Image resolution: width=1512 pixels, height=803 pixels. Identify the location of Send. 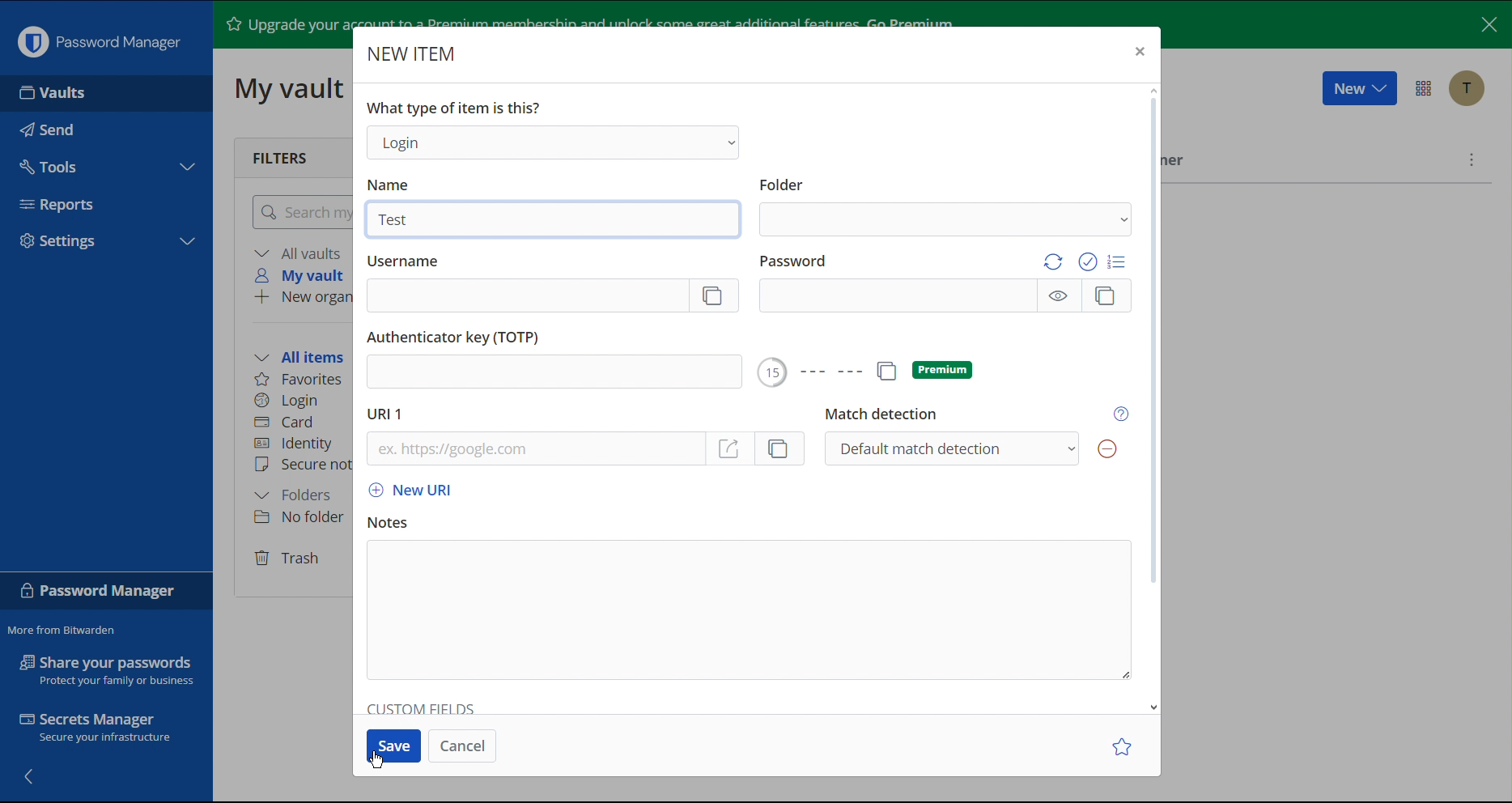
(105, 127).